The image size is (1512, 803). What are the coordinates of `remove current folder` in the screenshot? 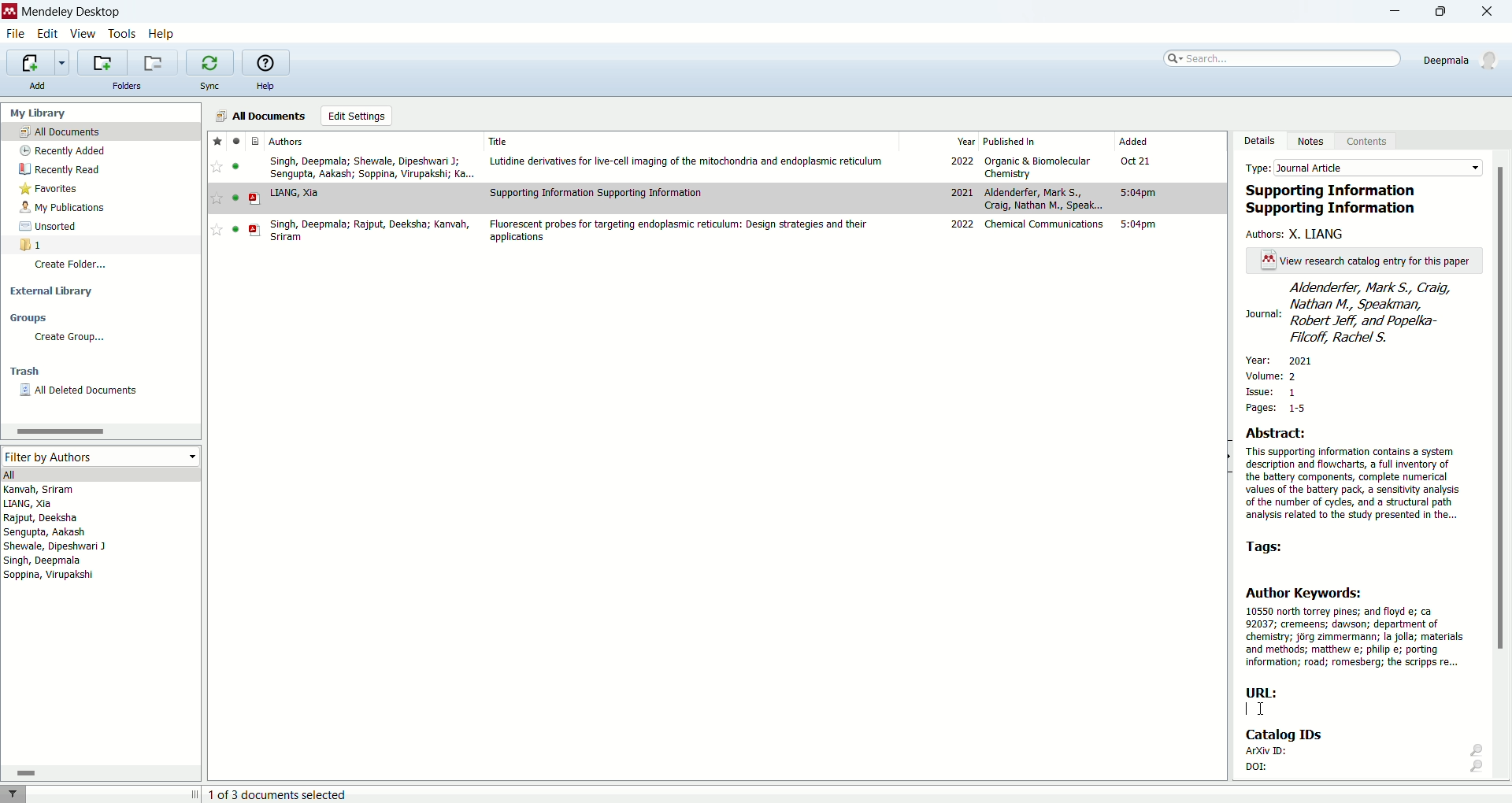 It's located at (154, 62).